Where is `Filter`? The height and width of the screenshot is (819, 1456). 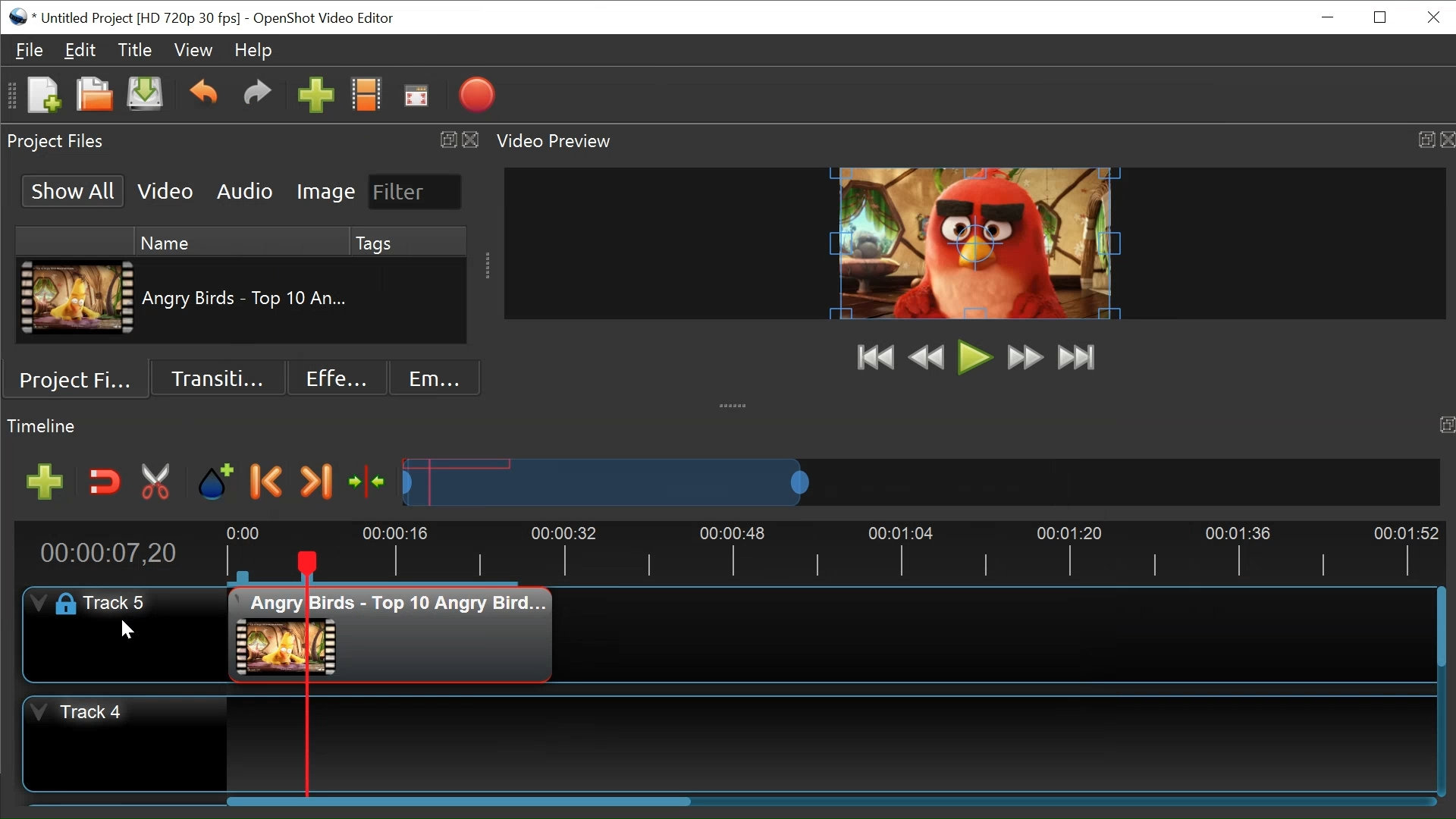
Filter is located at coordinates (416, 192).